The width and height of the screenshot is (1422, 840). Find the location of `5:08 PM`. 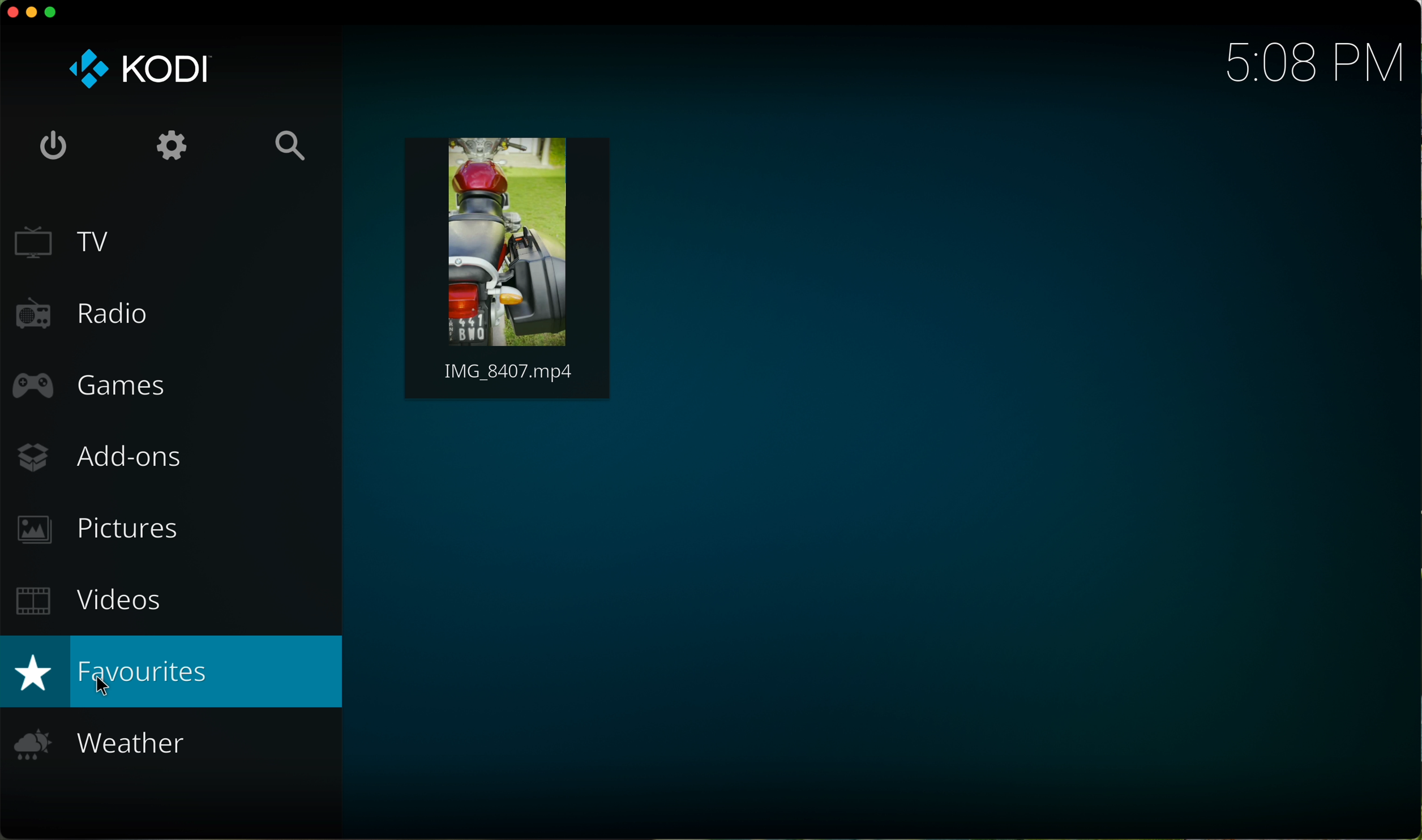

5:08 PM is located at coordinates (1303, 61).